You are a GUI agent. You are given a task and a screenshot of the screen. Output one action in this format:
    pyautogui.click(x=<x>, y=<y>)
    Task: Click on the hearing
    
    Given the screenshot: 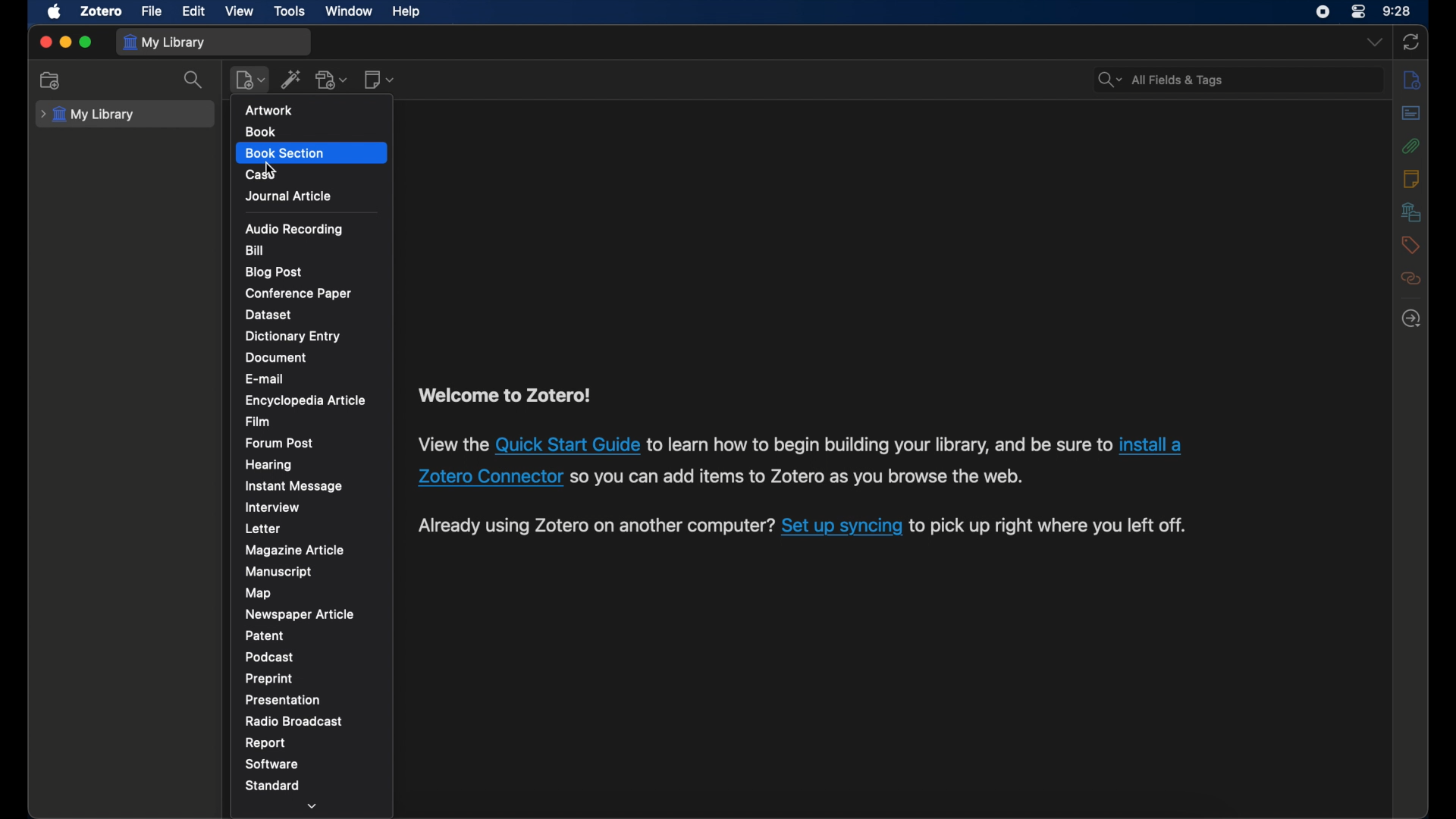 What is the action you would take?
    pyautogui.click(x=270, y=465)
    